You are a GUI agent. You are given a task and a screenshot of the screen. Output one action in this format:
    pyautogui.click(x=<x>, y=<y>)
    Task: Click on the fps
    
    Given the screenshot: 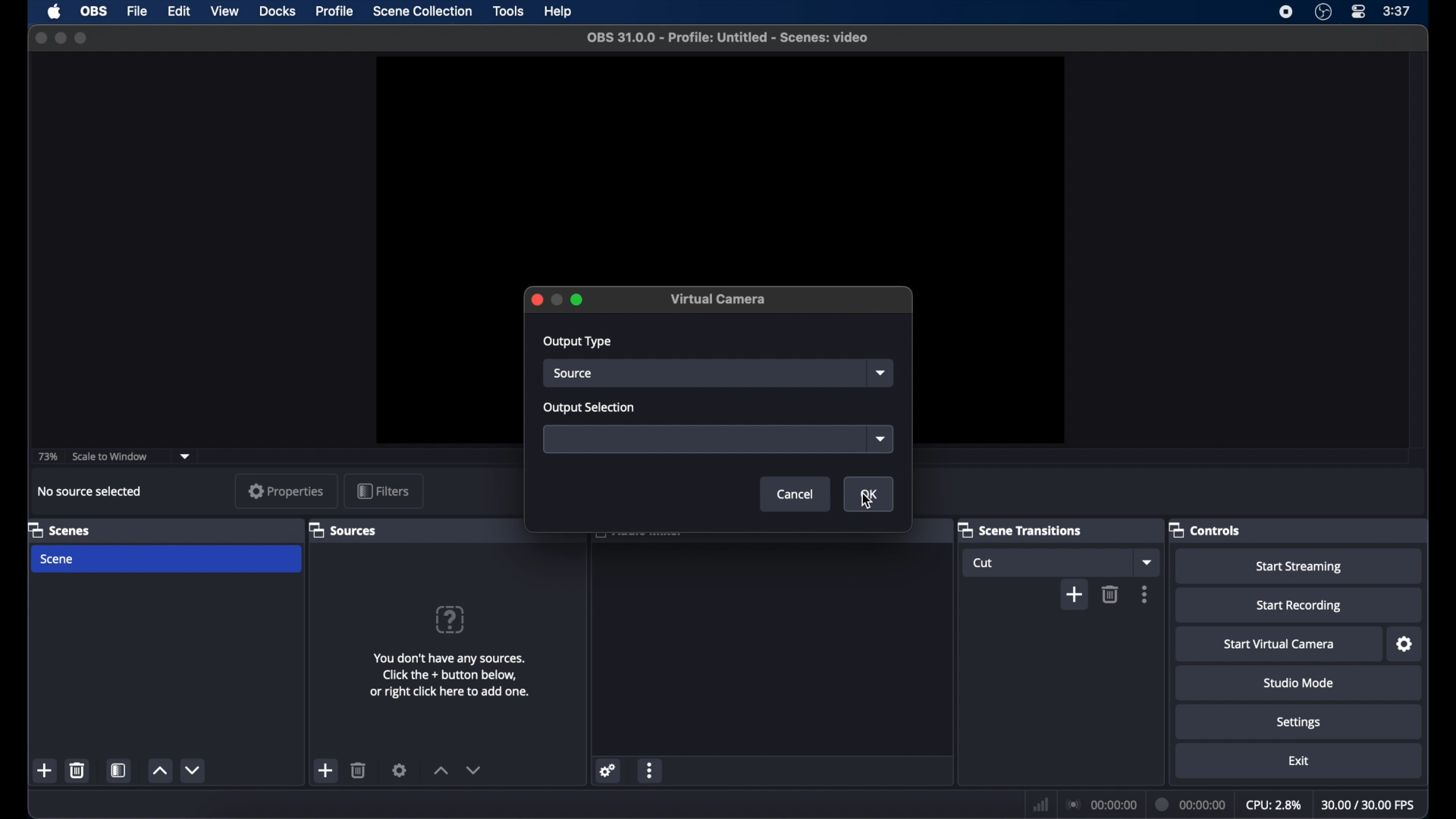 What is the action you would take?
    pyautogui.click(x=1369, y=805)
    